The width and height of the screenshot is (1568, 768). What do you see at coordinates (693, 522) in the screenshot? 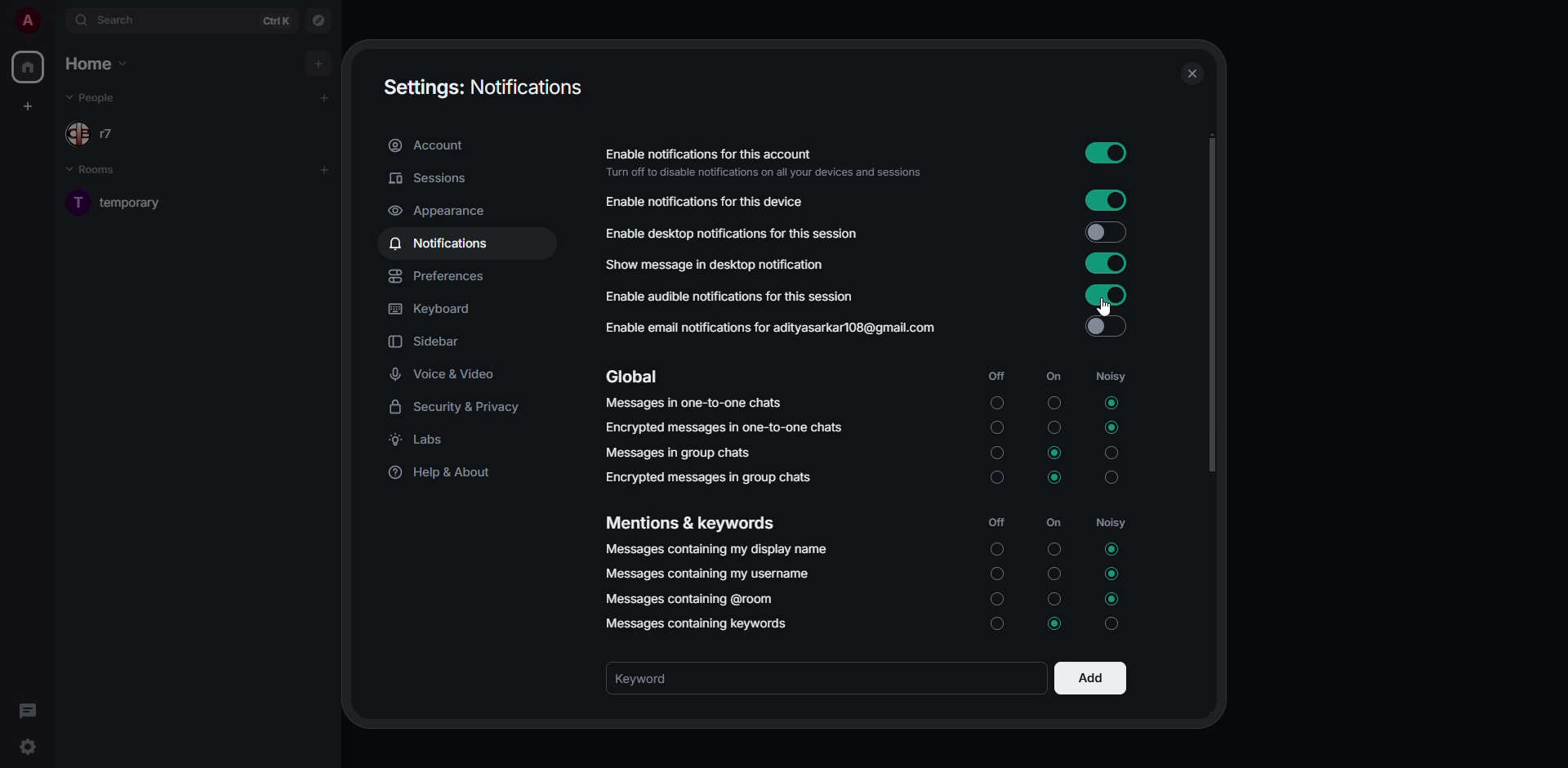
I see `mentions & keywords` at bounding box center [693, 522].